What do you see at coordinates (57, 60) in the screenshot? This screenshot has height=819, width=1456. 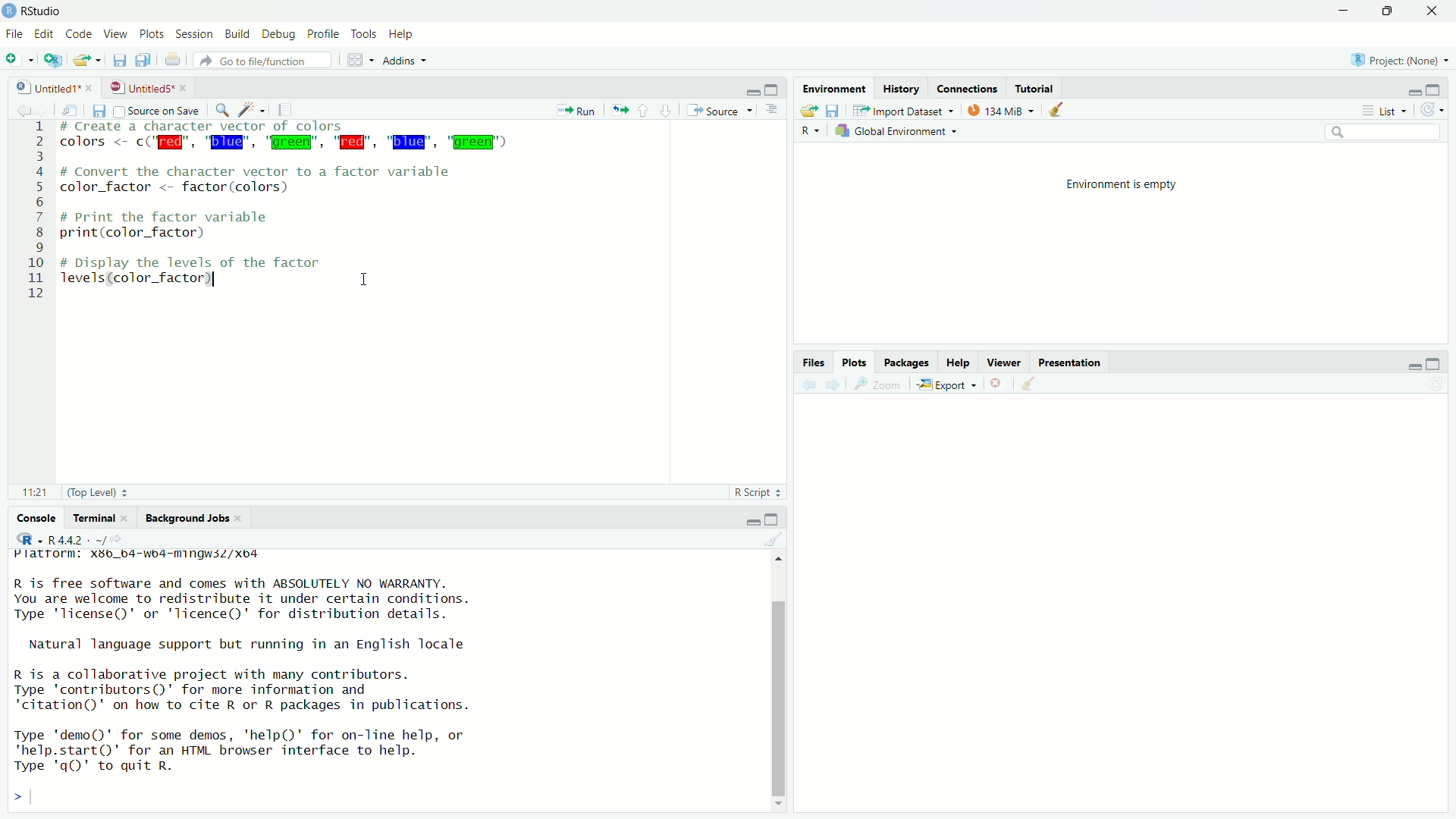 I see `create a project` at bounding box center [57, 60].